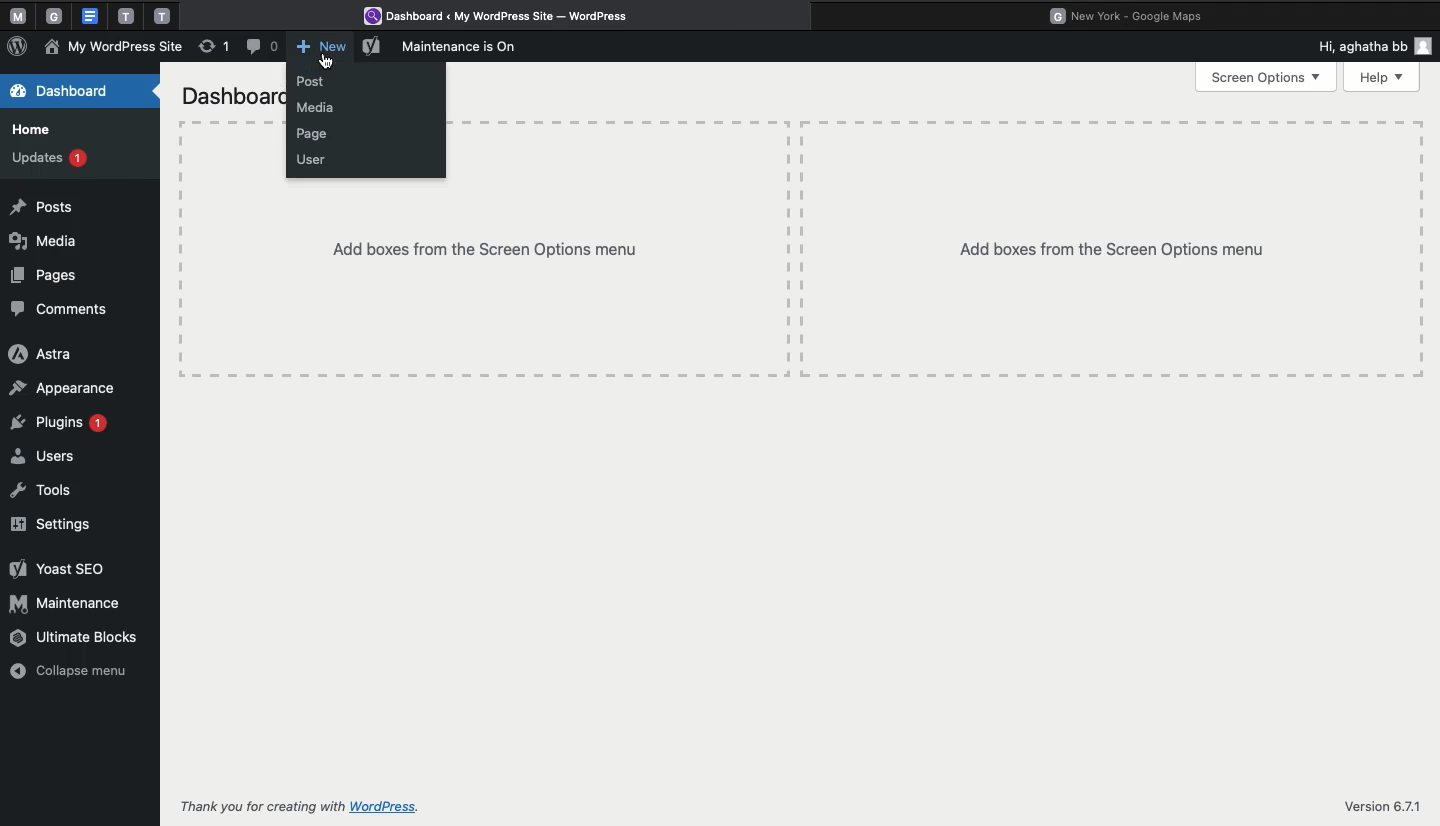 This screenshot has height=826, width=1440. I want to click on Comment, so click(260, 47).